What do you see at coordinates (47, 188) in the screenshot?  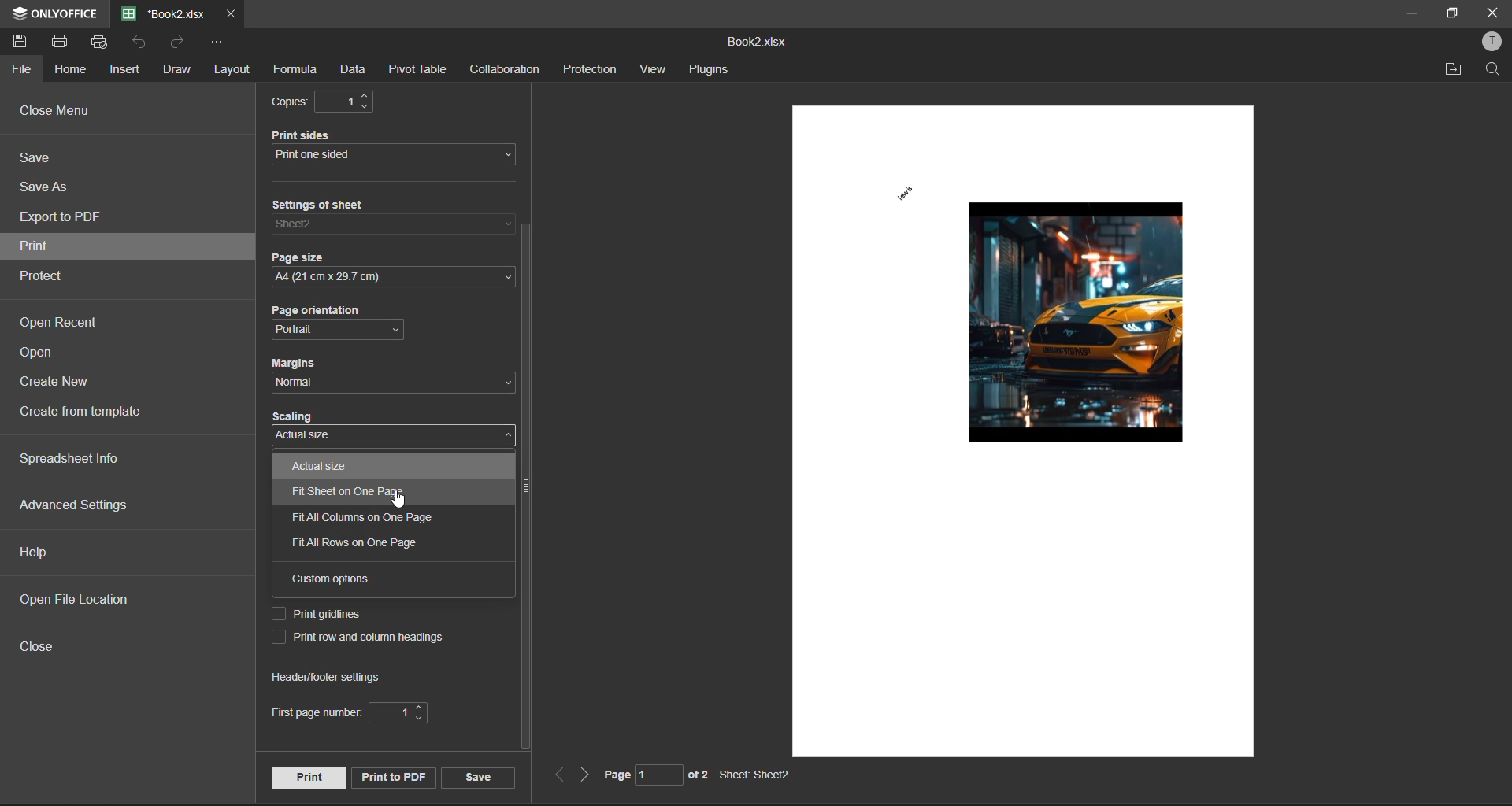 I see `save as` at bounding box center [47, 188].